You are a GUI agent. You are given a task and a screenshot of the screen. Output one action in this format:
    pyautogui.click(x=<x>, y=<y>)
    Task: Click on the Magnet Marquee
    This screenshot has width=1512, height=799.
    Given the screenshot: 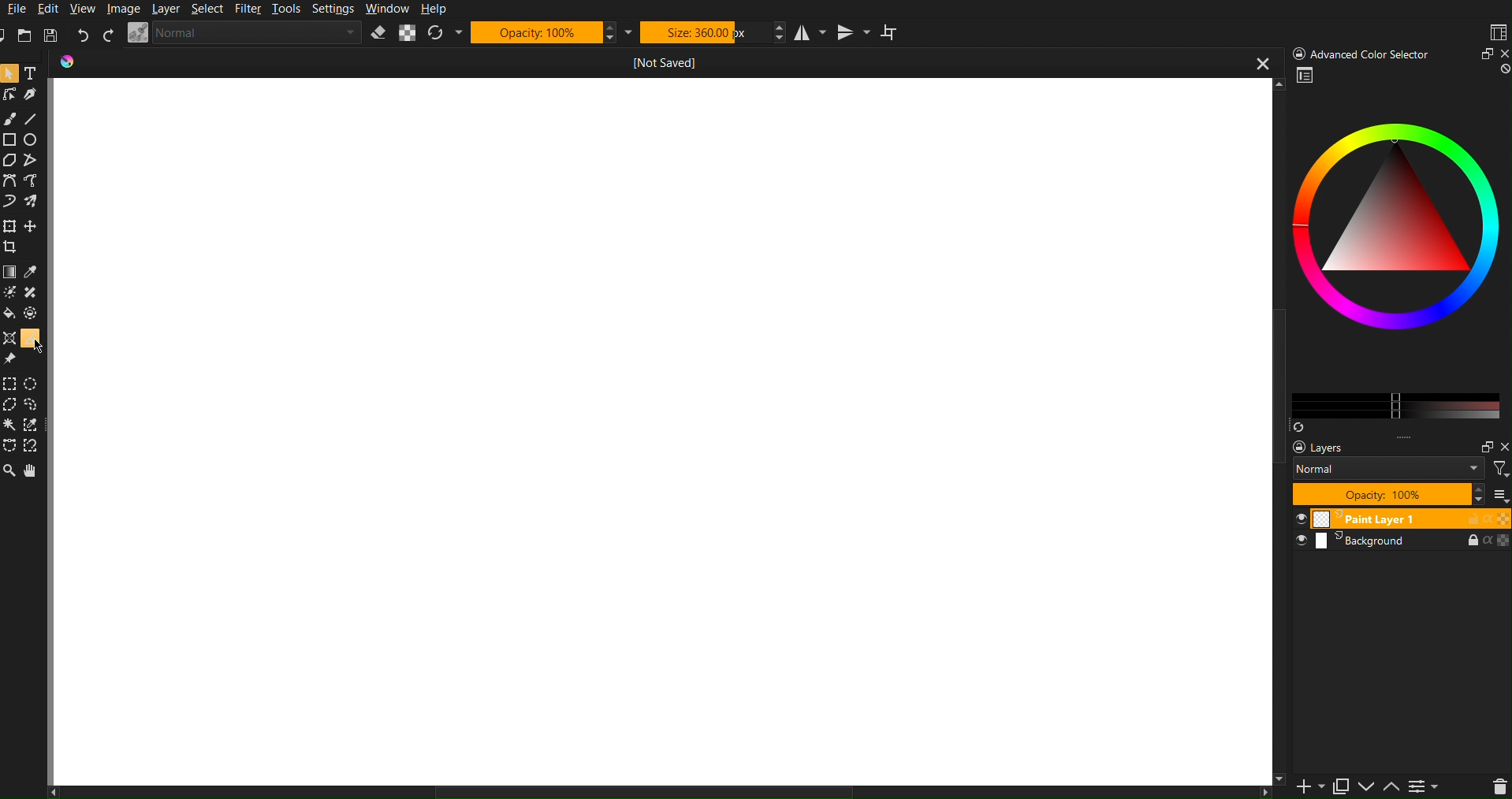 What is the action you would take?
    pyautogui.click(x=32, y=448)
    